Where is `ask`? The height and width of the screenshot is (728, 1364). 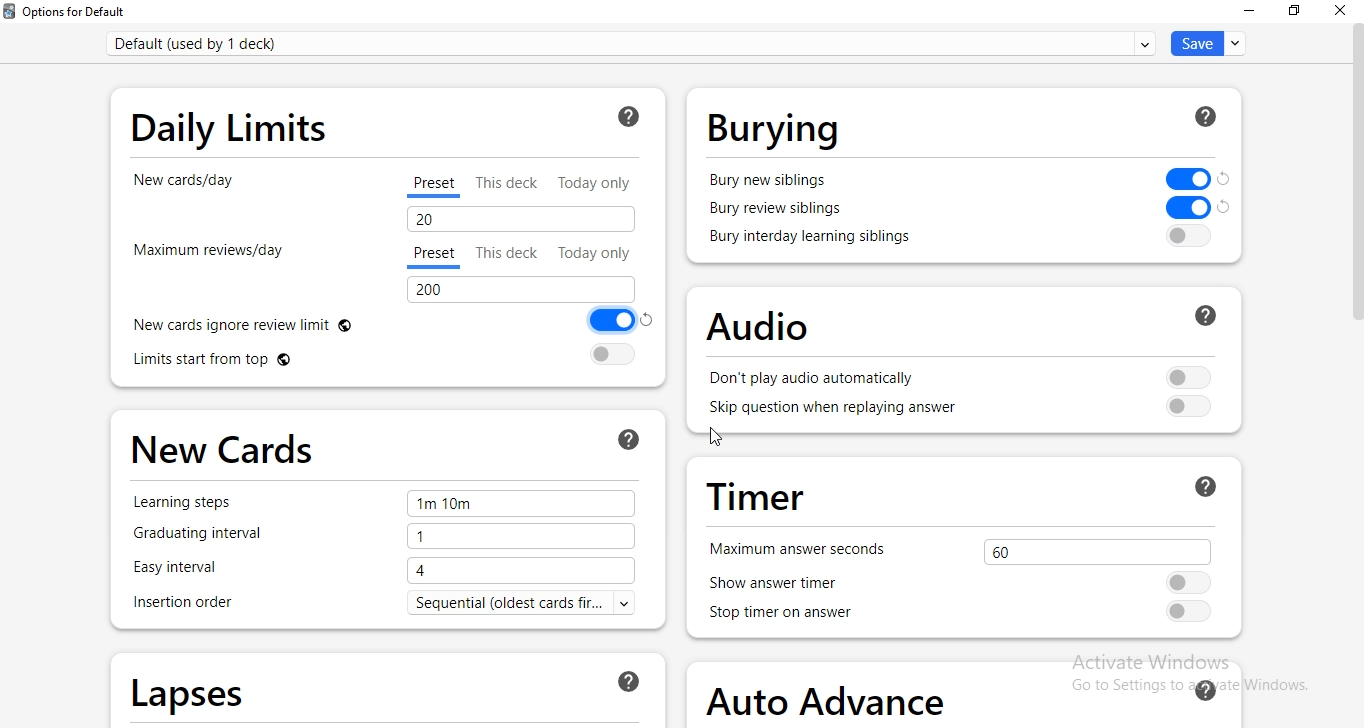 ask is located at coordinates (1206, 485).